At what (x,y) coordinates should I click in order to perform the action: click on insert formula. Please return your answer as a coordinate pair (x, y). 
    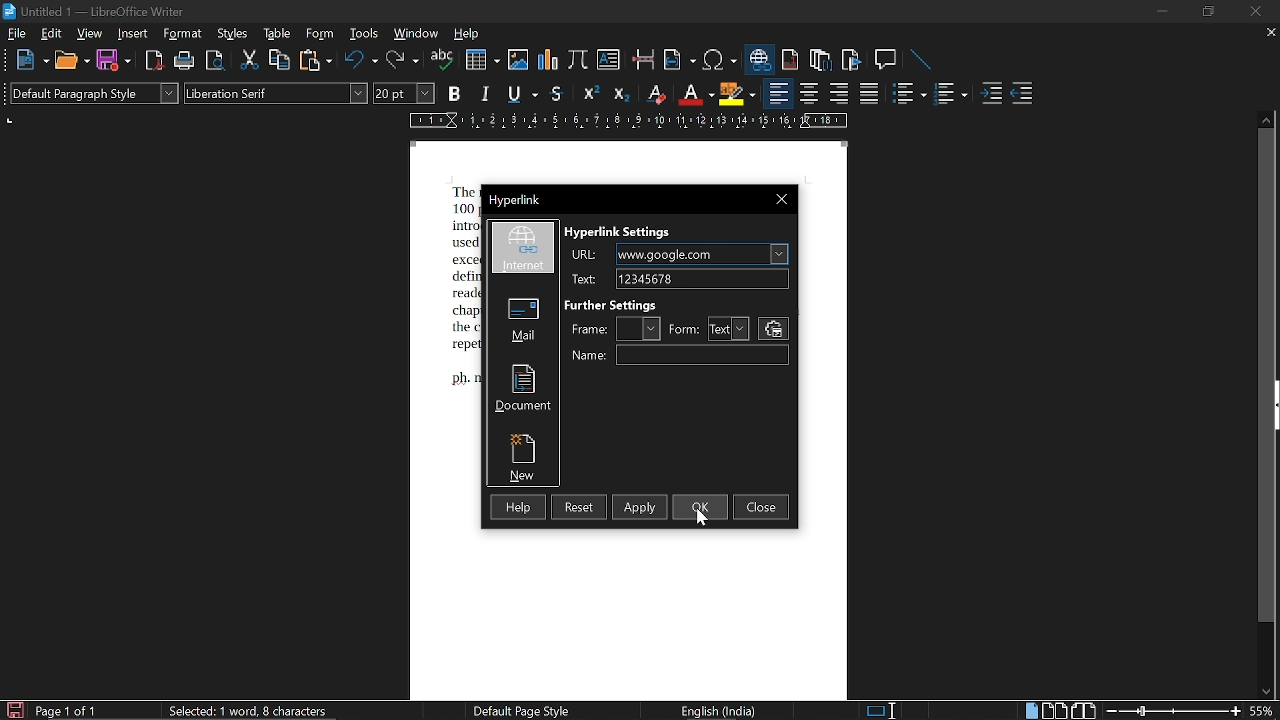
    Looking at the image, I should click on (578, 59).